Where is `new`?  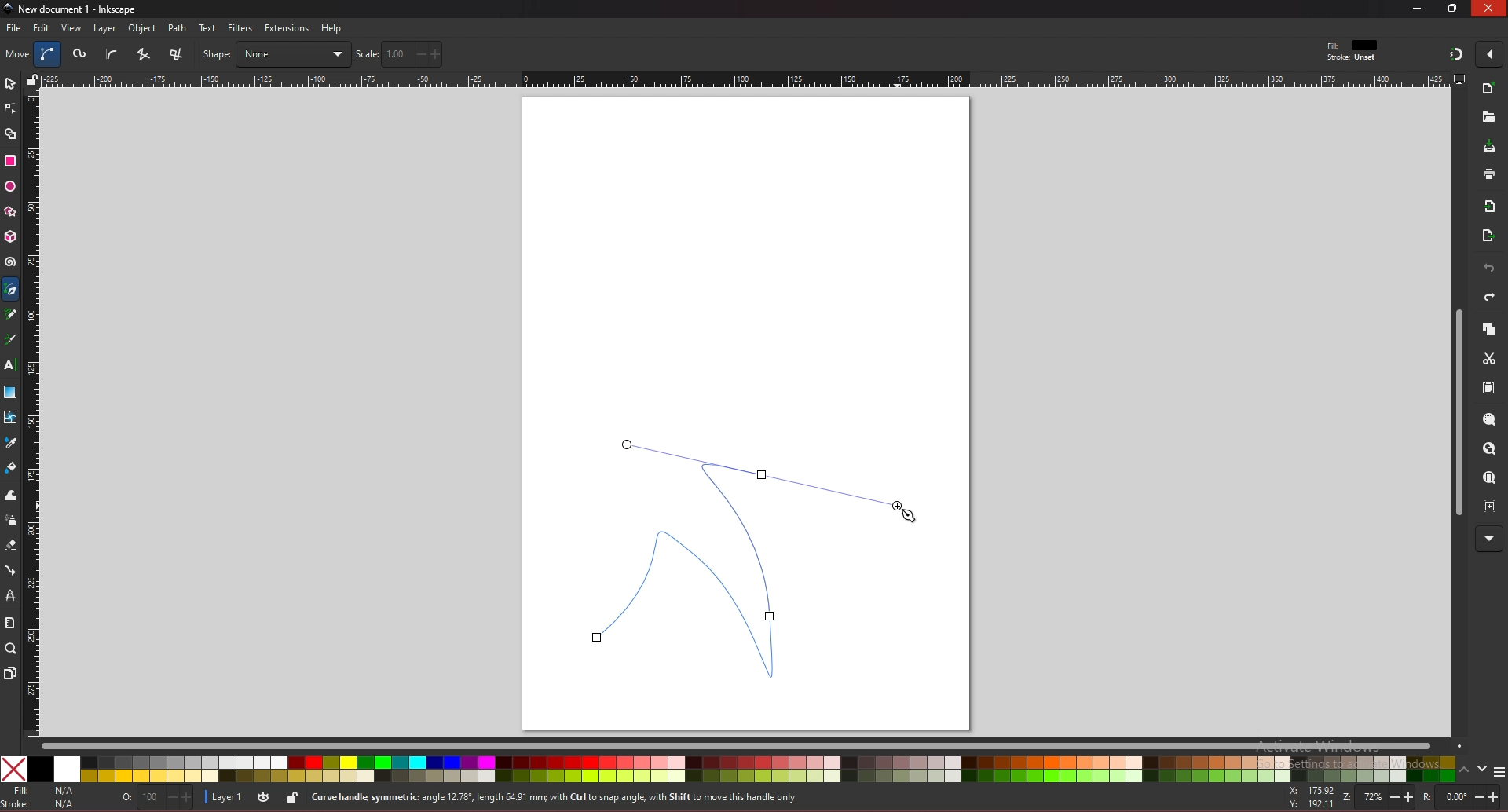 new is located at coordinates (1489, 90).